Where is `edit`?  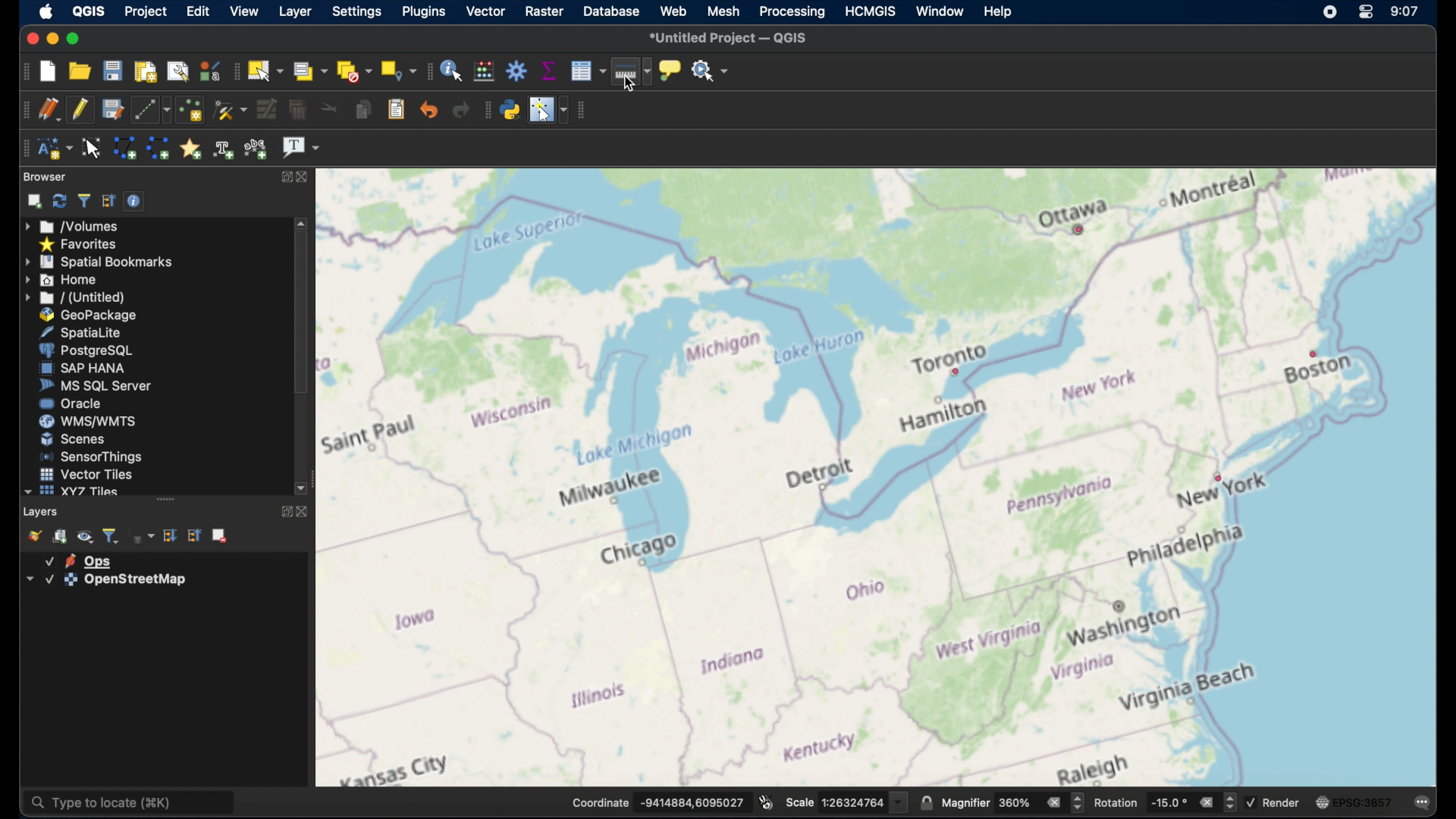
edit is located at coordinates (197, 11).